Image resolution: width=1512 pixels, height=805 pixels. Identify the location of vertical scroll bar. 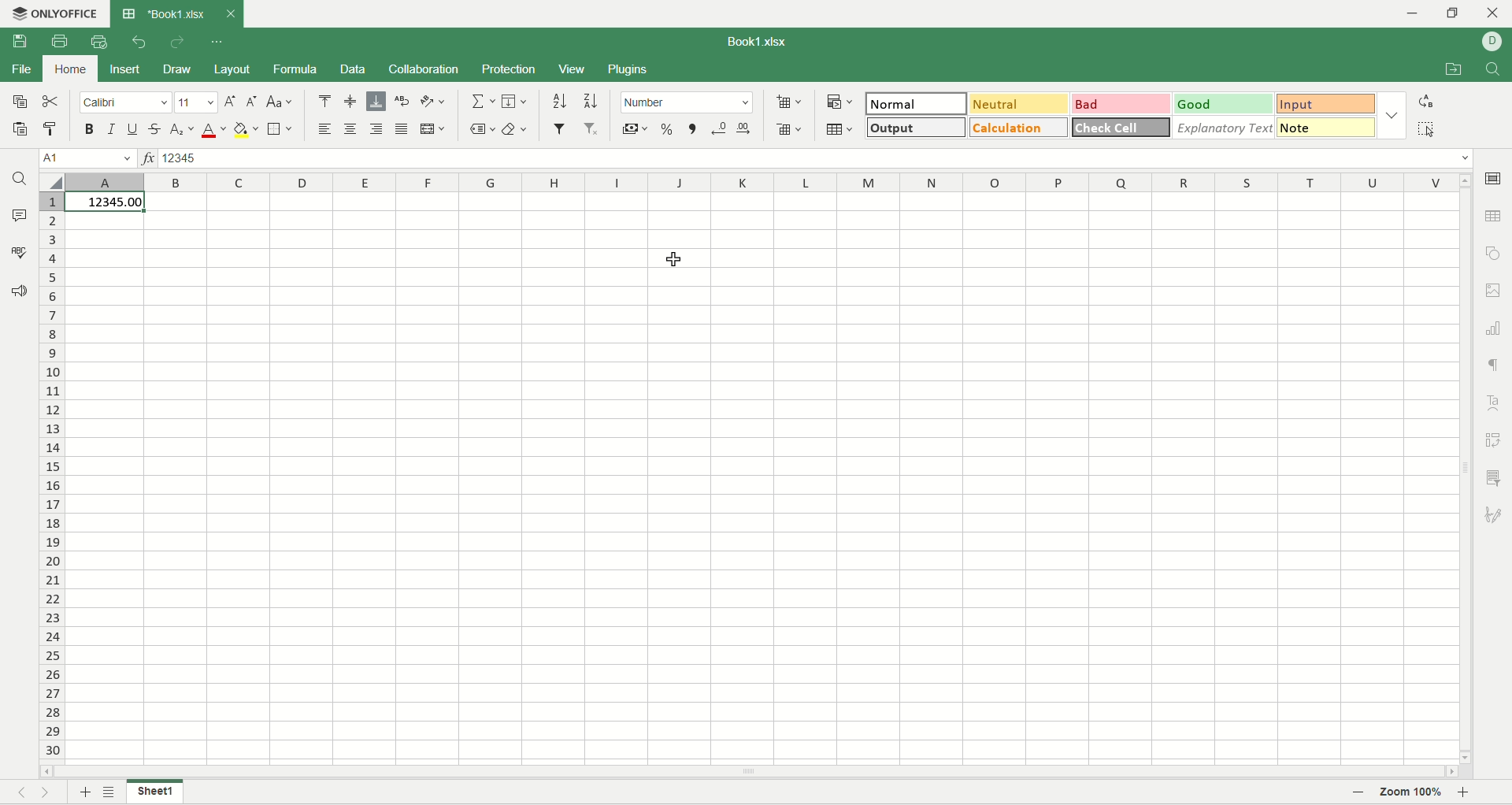
(1467, 469).